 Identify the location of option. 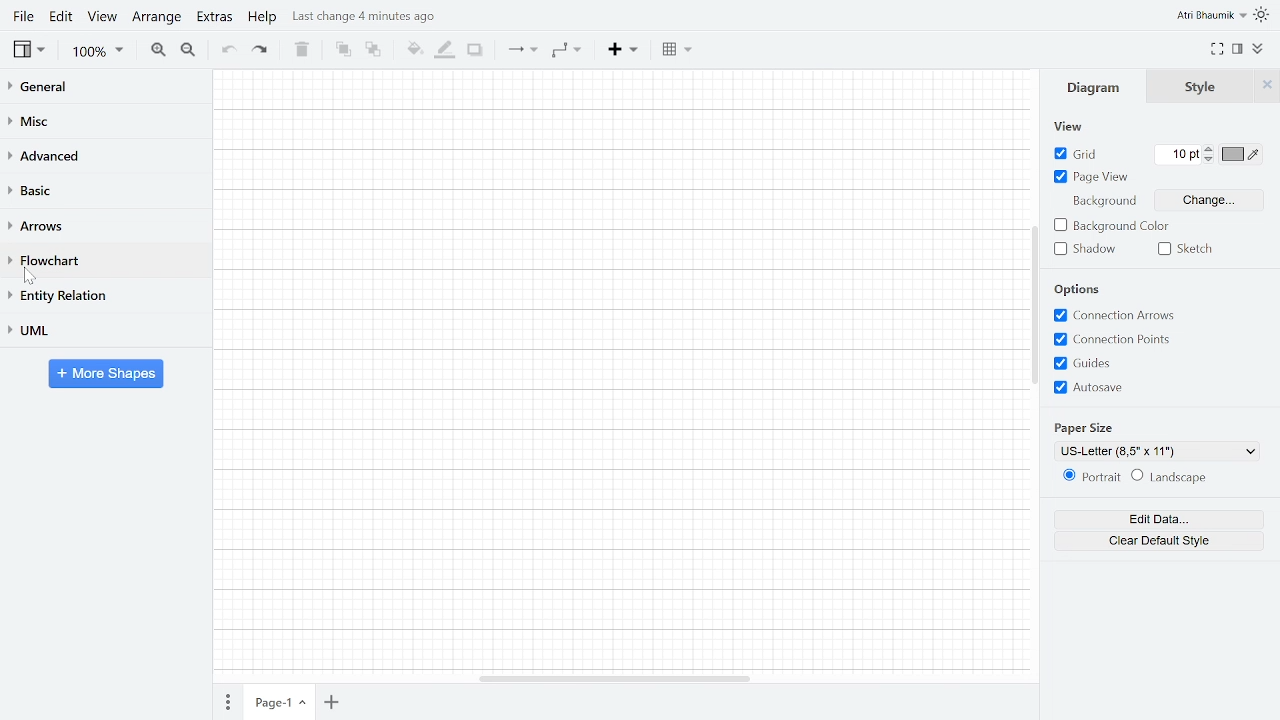
(1077, 291).